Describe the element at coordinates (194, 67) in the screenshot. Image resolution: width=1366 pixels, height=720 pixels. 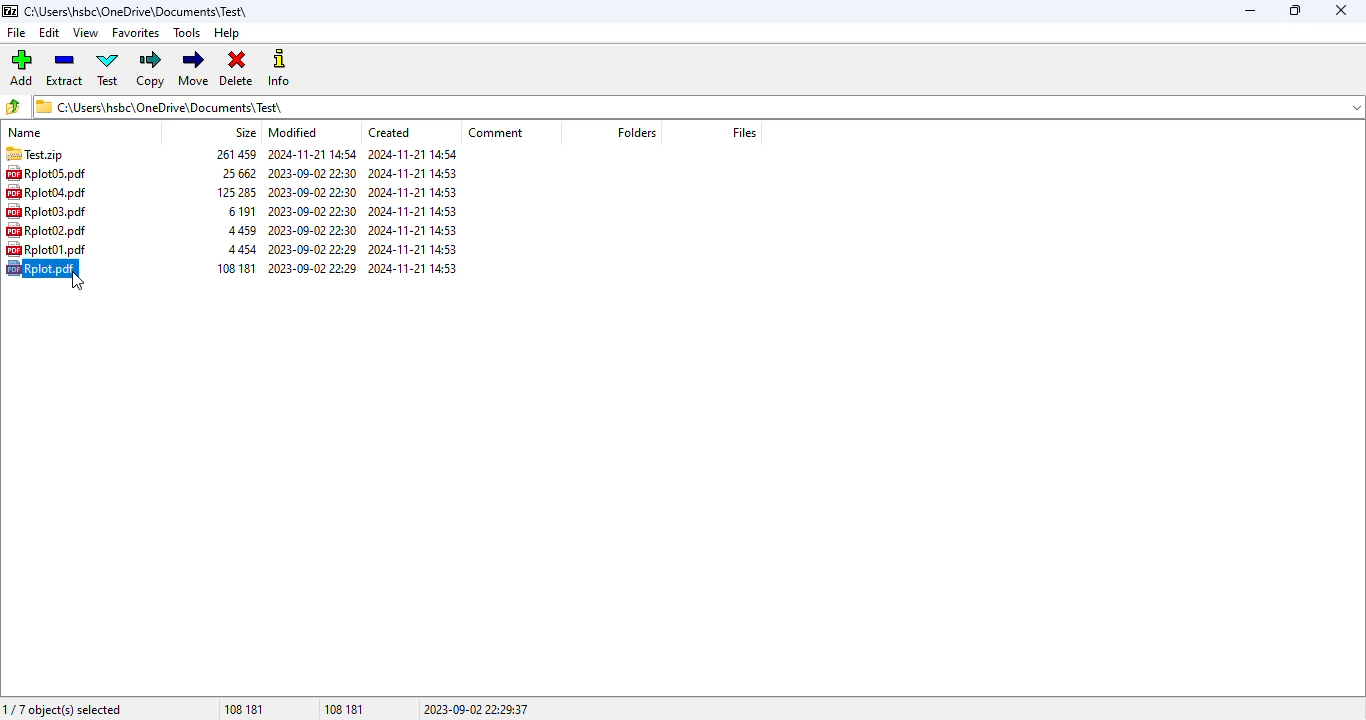
I see `move` at that location.